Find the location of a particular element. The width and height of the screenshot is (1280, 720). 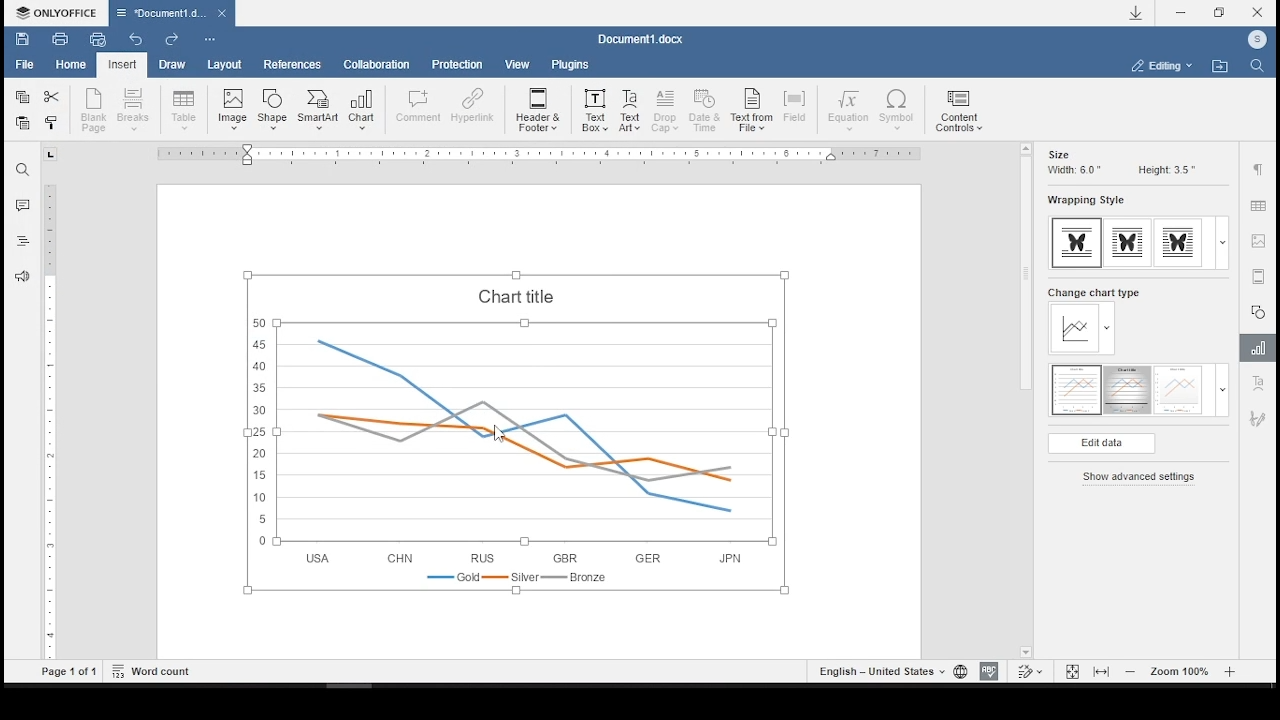

collaboration is located at coordinates (379, 66).